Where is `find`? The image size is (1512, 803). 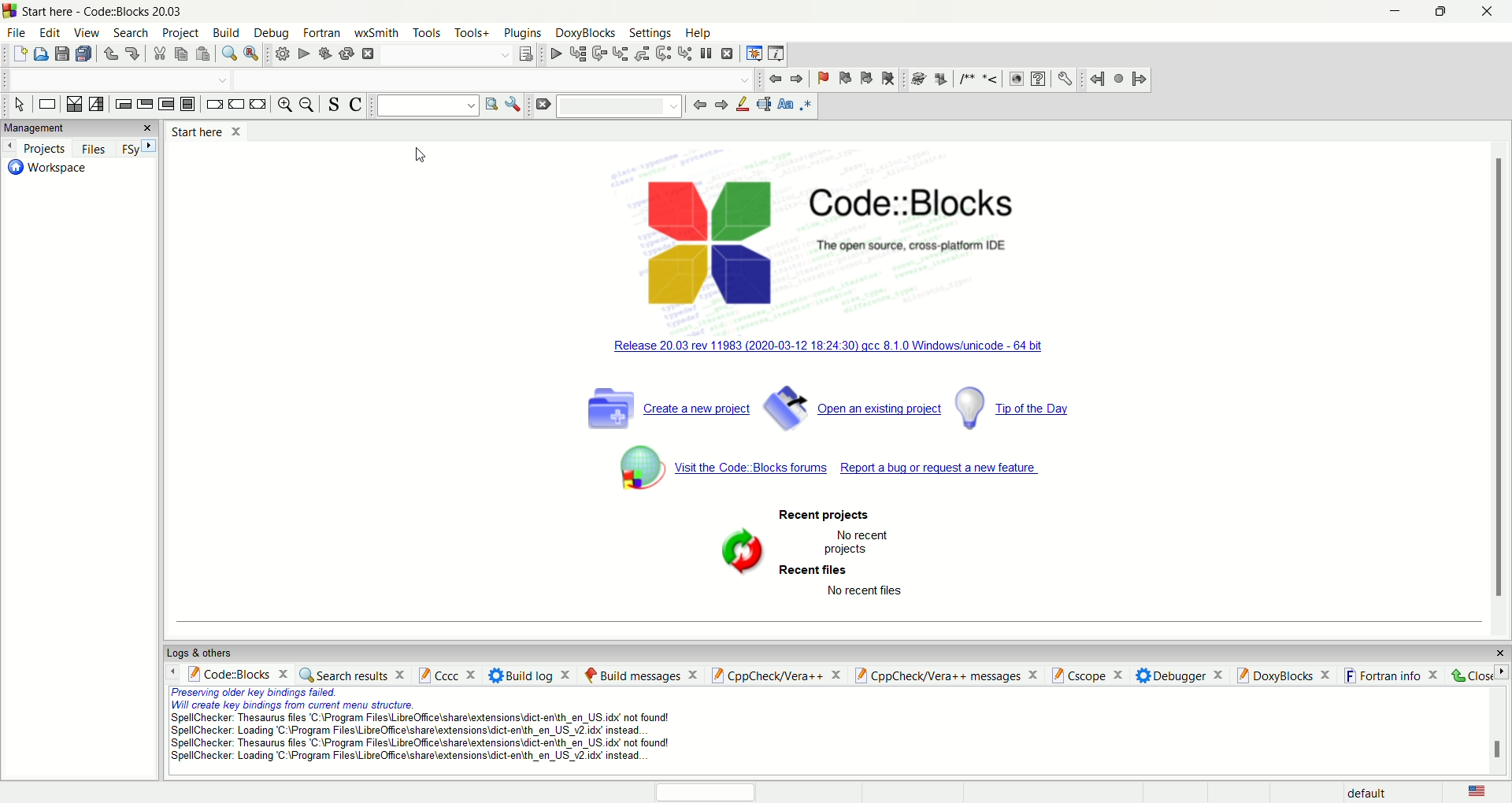 find is located at coordinates (228, 54).